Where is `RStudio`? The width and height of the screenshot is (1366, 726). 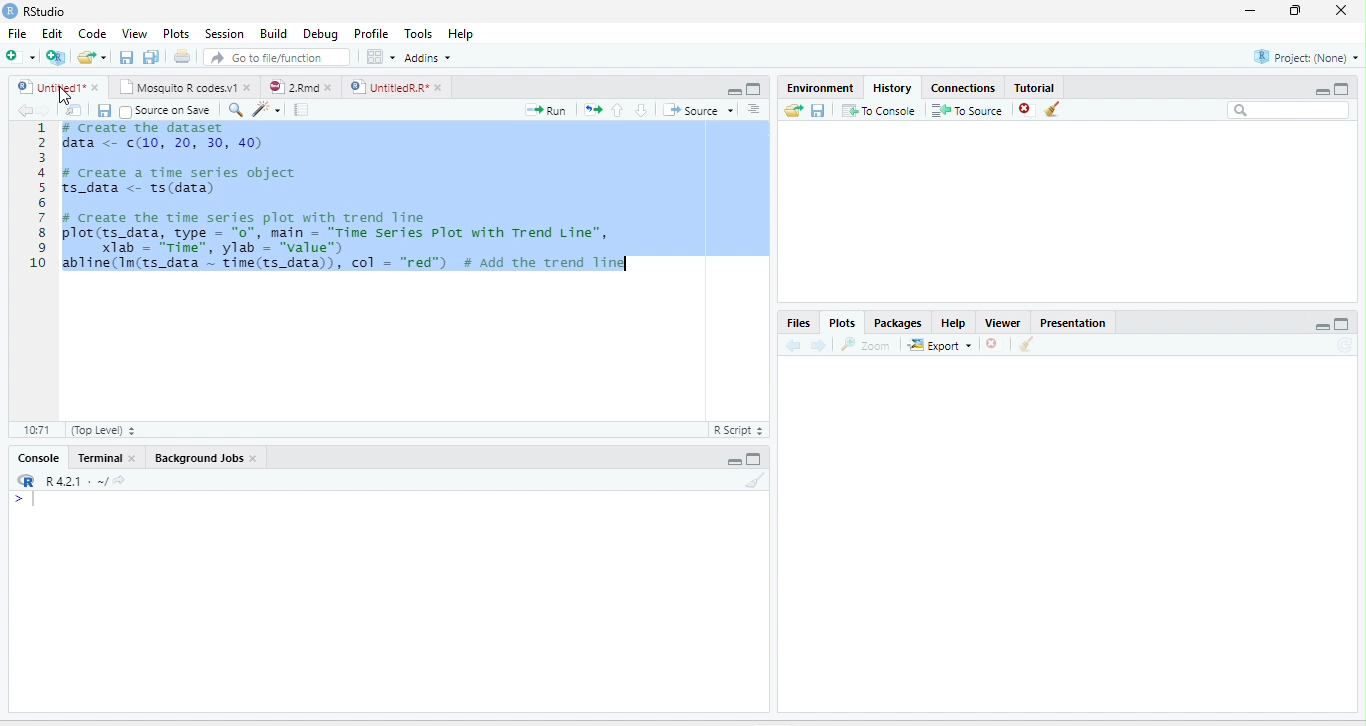
RStudio is located at coordinates (34, 10).